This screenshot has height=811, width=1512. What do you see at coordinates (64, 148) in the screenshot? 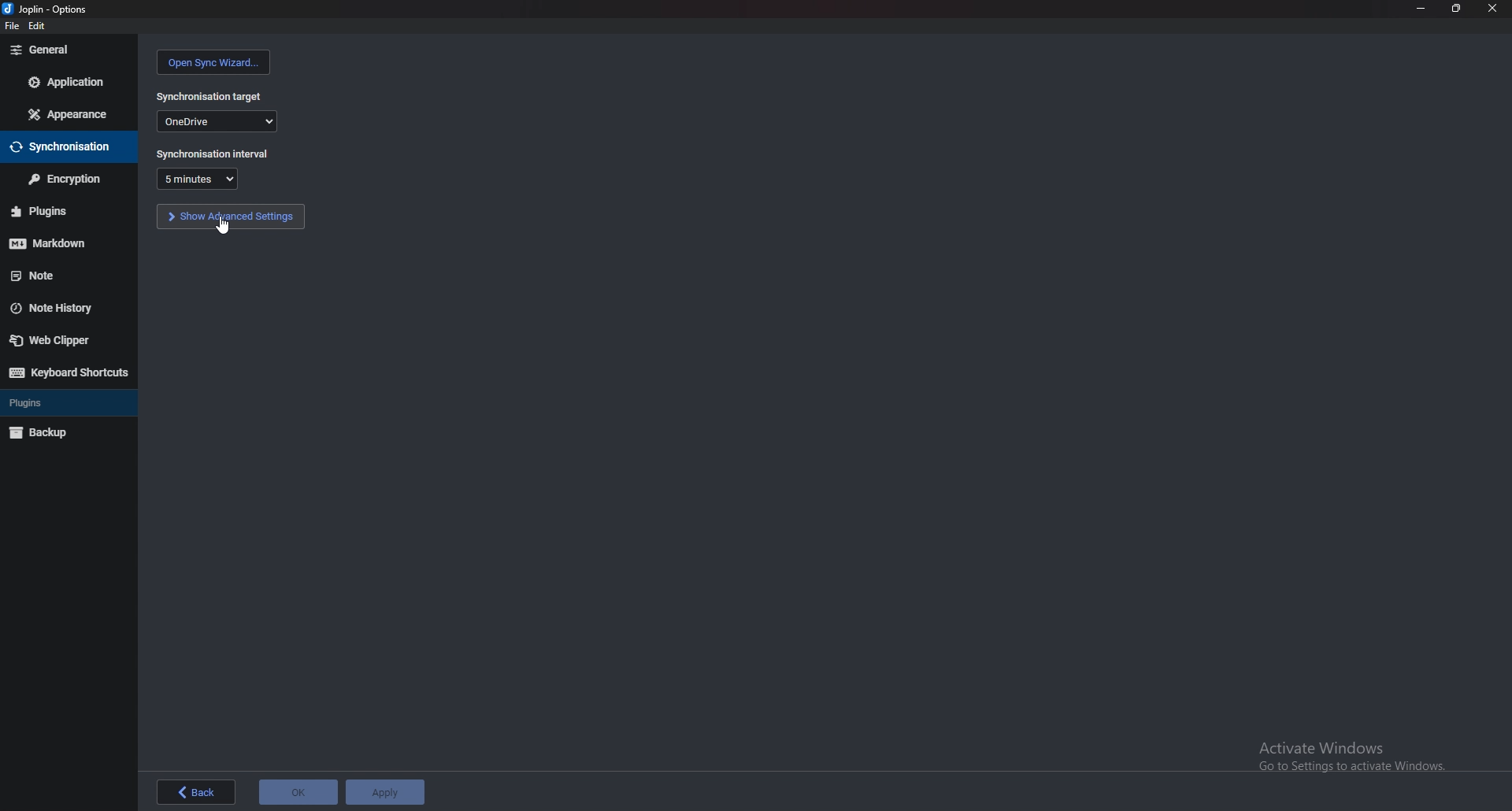
I see `sync` at bounding box center [64, 148].